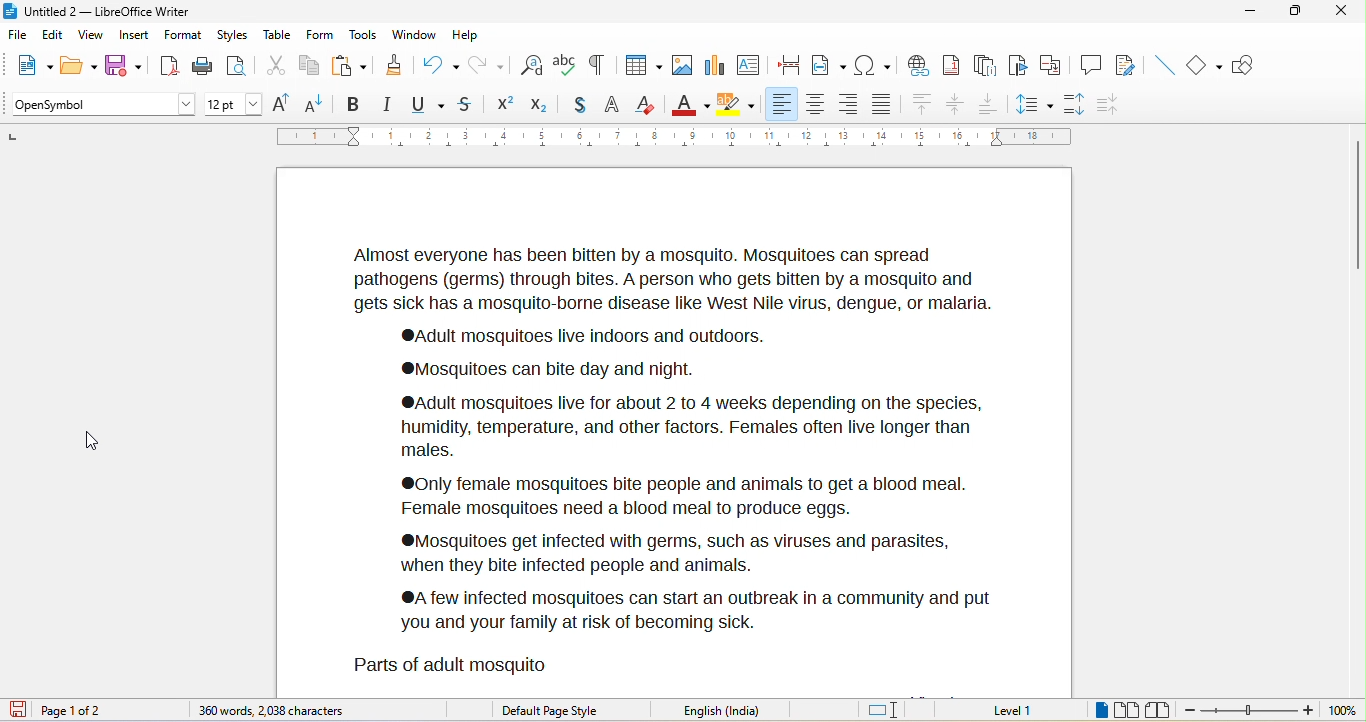 Image resolution: width=1366 pixels, height=722 pixels. Describe the element at coordinates (1246, 13) in the screenshot. I see `minimize` at that location.